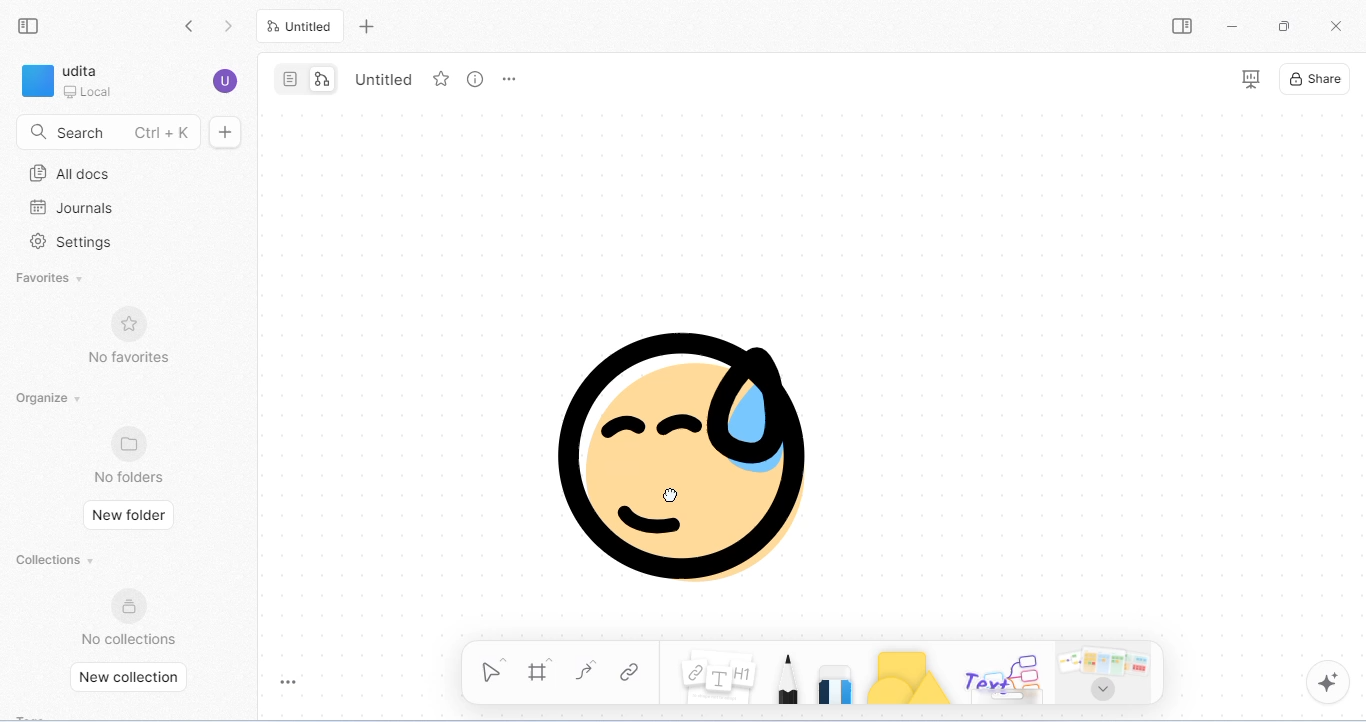  I want to click on collapse side bar, so click(30, 25).